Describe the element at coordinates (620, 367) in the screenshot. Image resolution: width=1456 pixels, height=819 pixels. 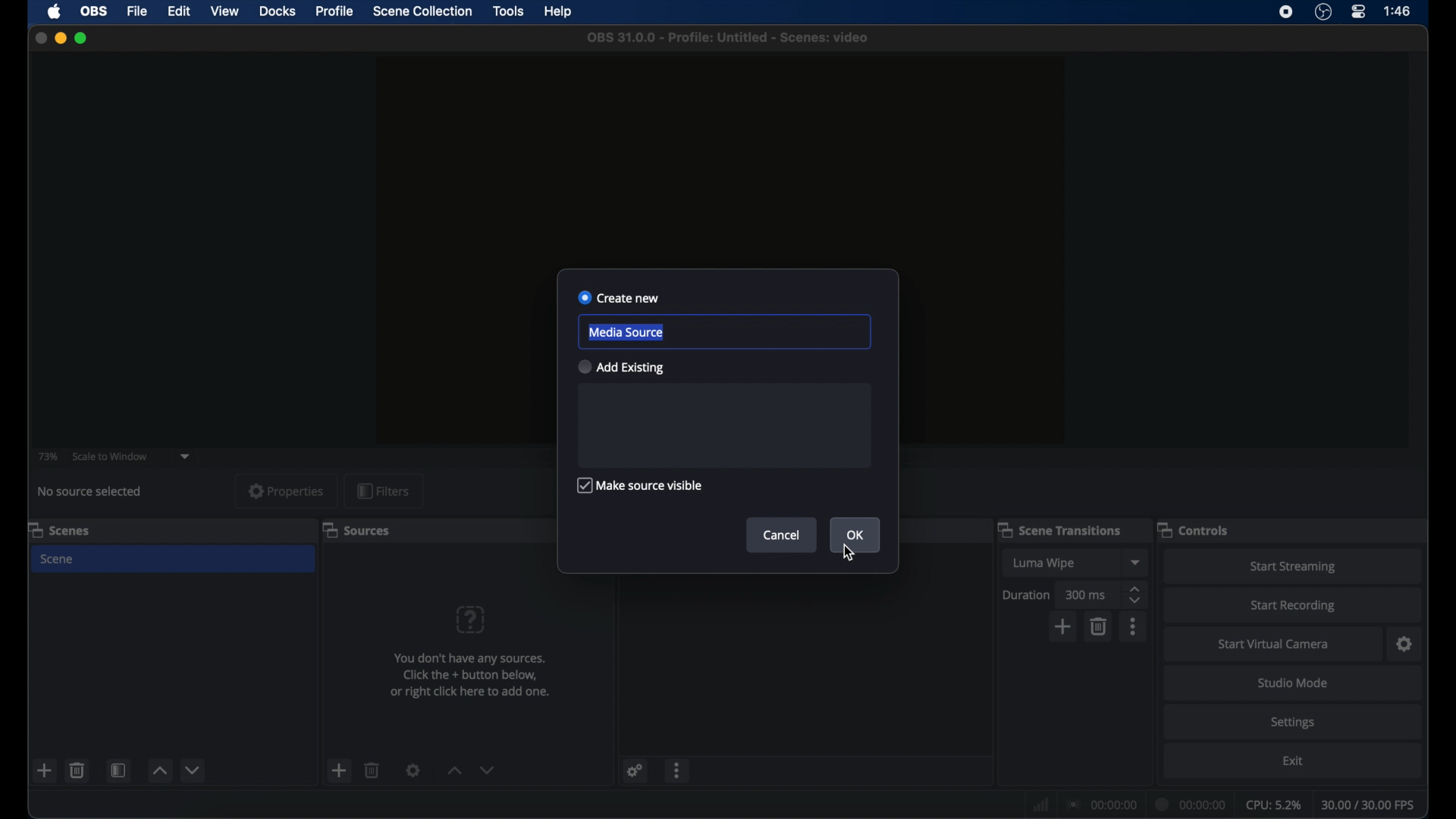
I see `add existing` at that location.